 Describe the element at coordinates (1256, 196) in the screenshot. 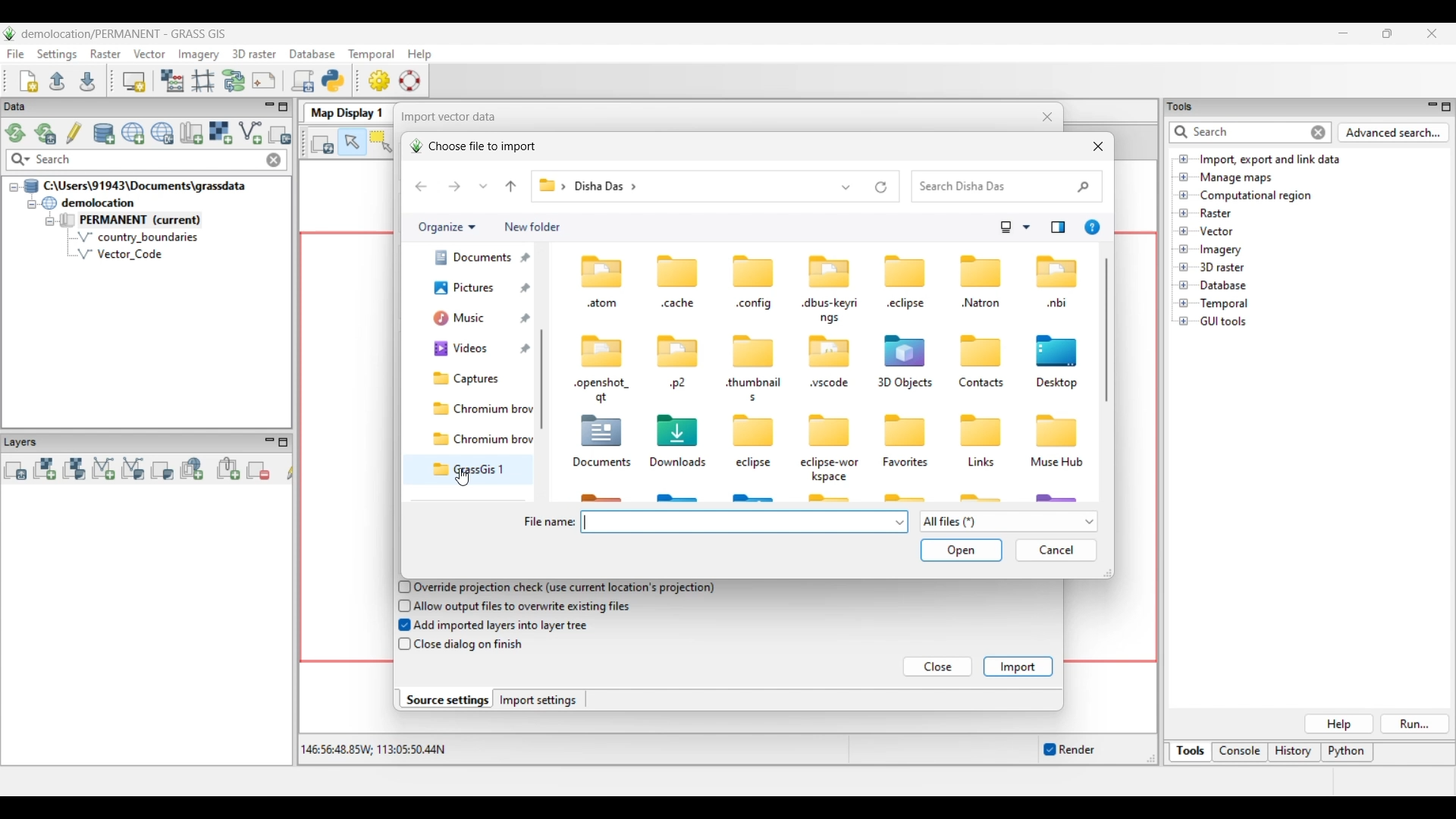

I see `Double click to see files under Computational region` at that location.